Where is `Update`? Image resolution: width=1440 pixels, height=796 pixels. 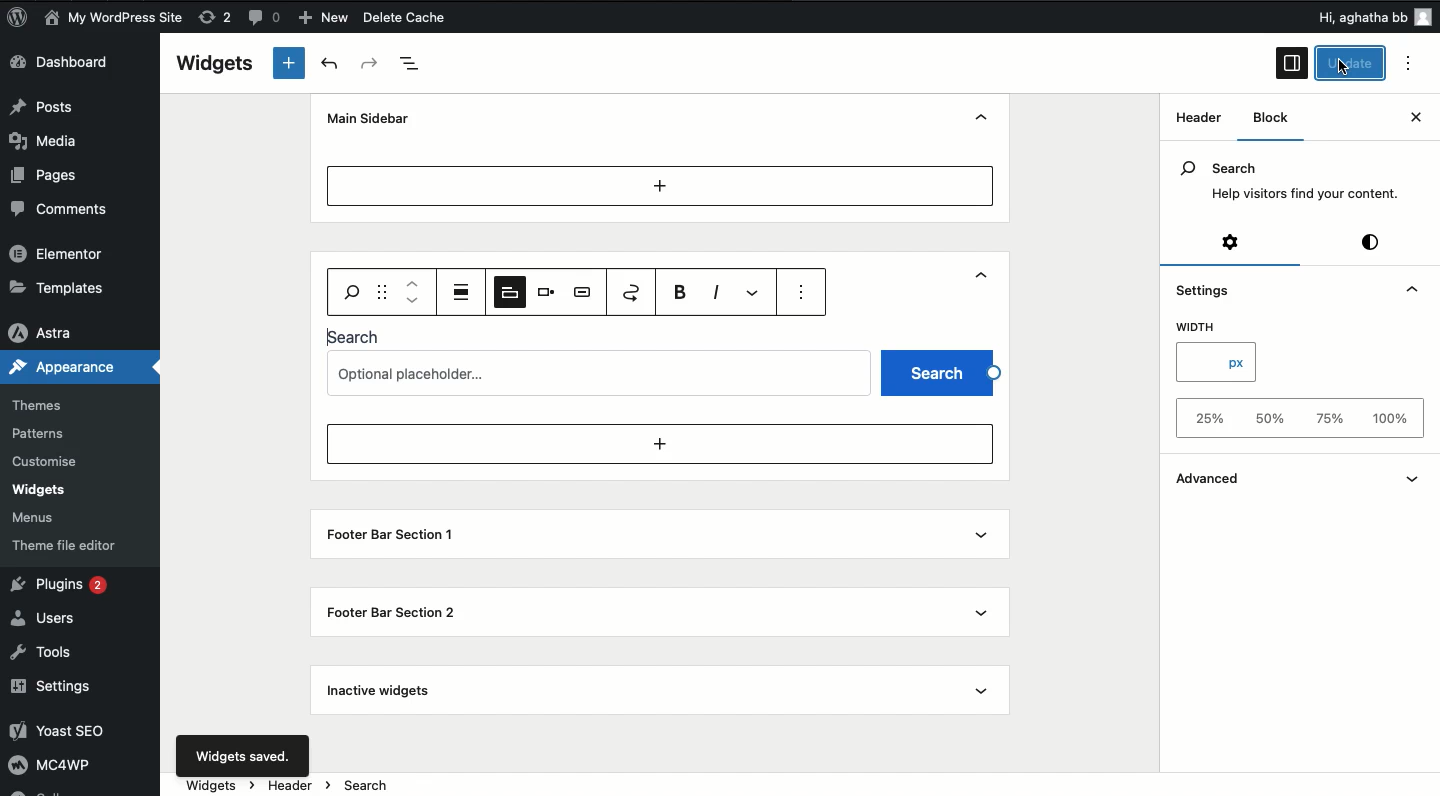
Update is located at coordinates (1351, 64).